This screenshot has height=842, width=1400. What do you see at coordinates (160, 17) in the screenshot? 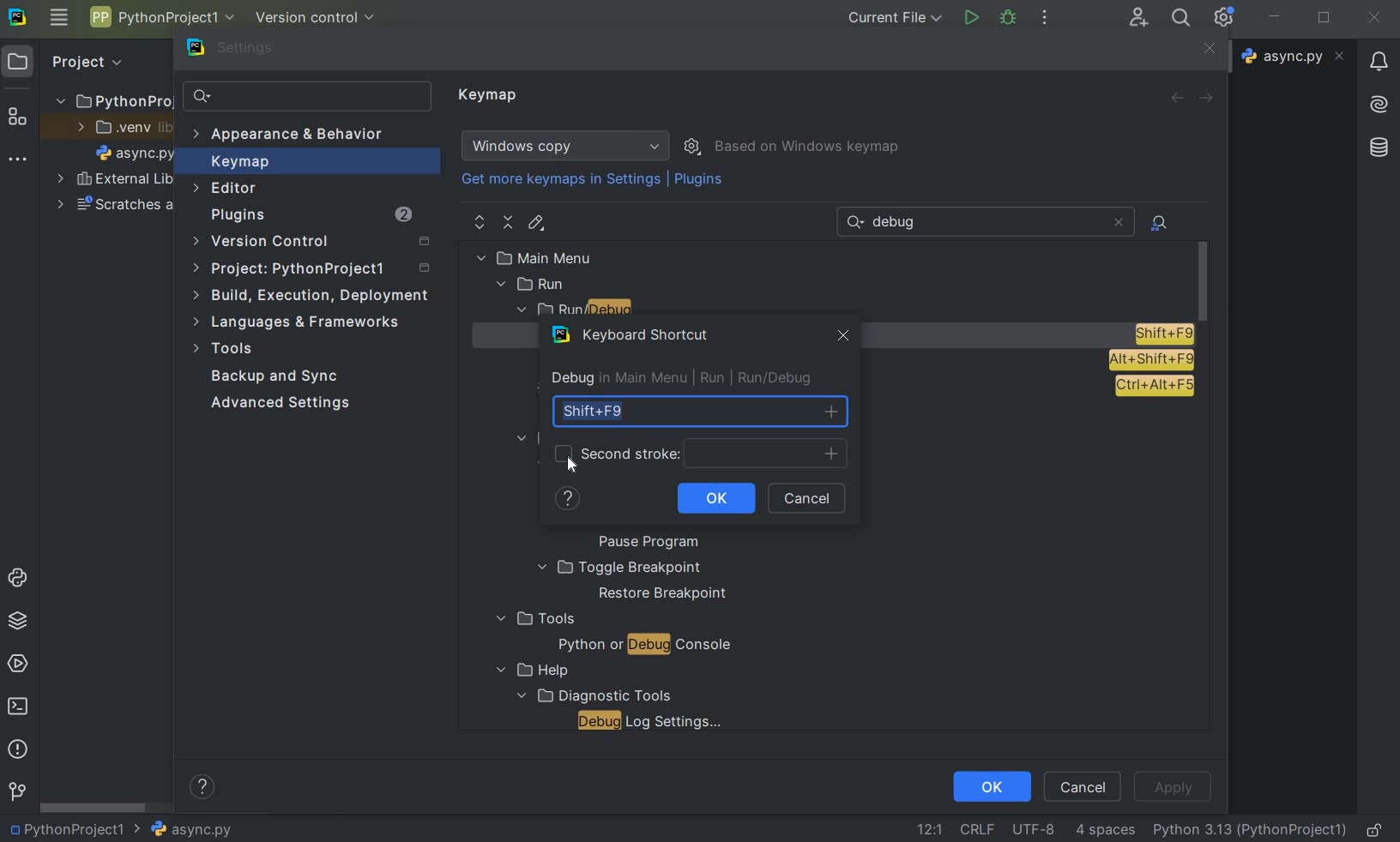
I see `project name` at bounding box center [160, 17].